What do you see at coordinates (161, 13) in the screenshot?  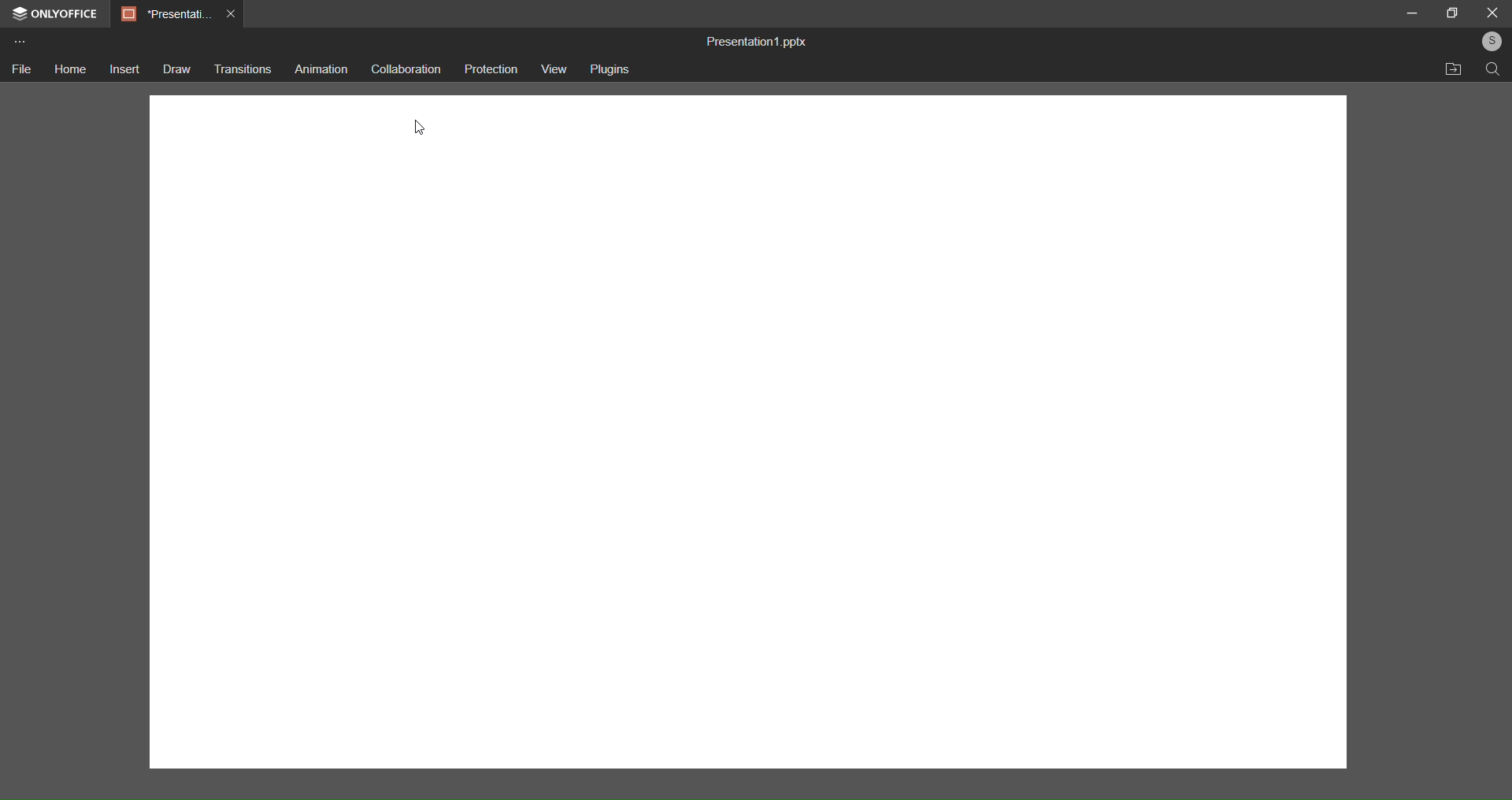 I see `Presentation1` at bounding box center [161, 13].